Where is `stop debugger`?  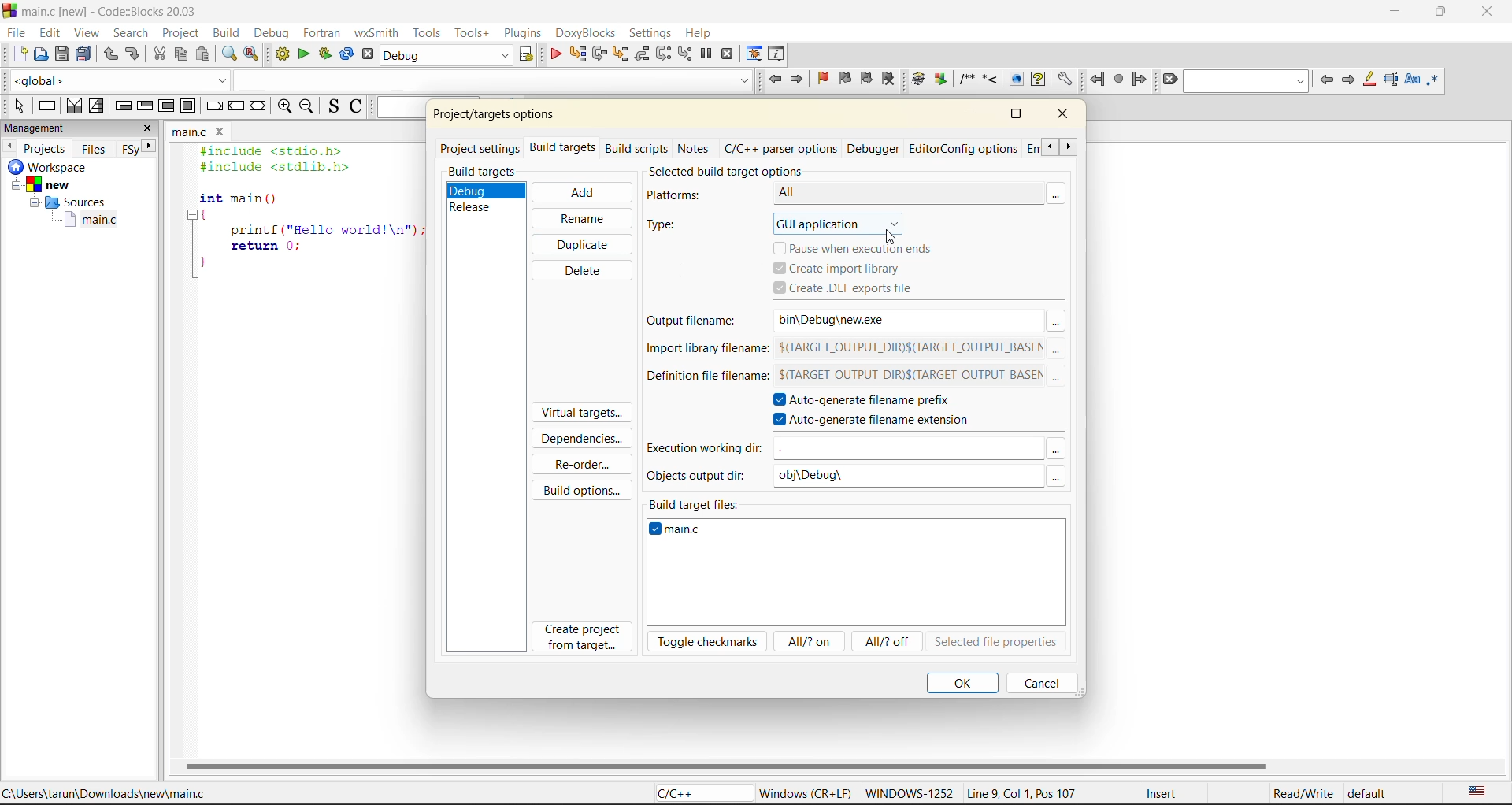
stop debugger is located at coordinates (728, 55).